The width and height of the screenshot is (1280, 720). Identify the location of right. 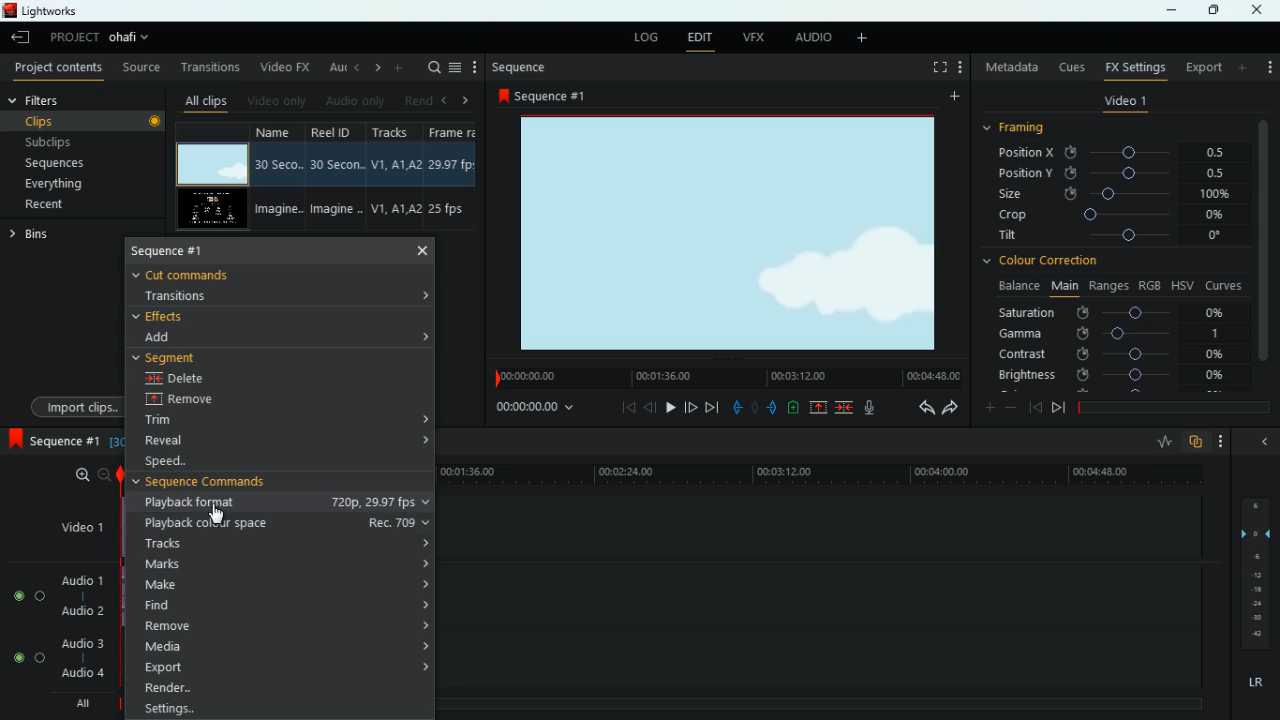
(376, 67).